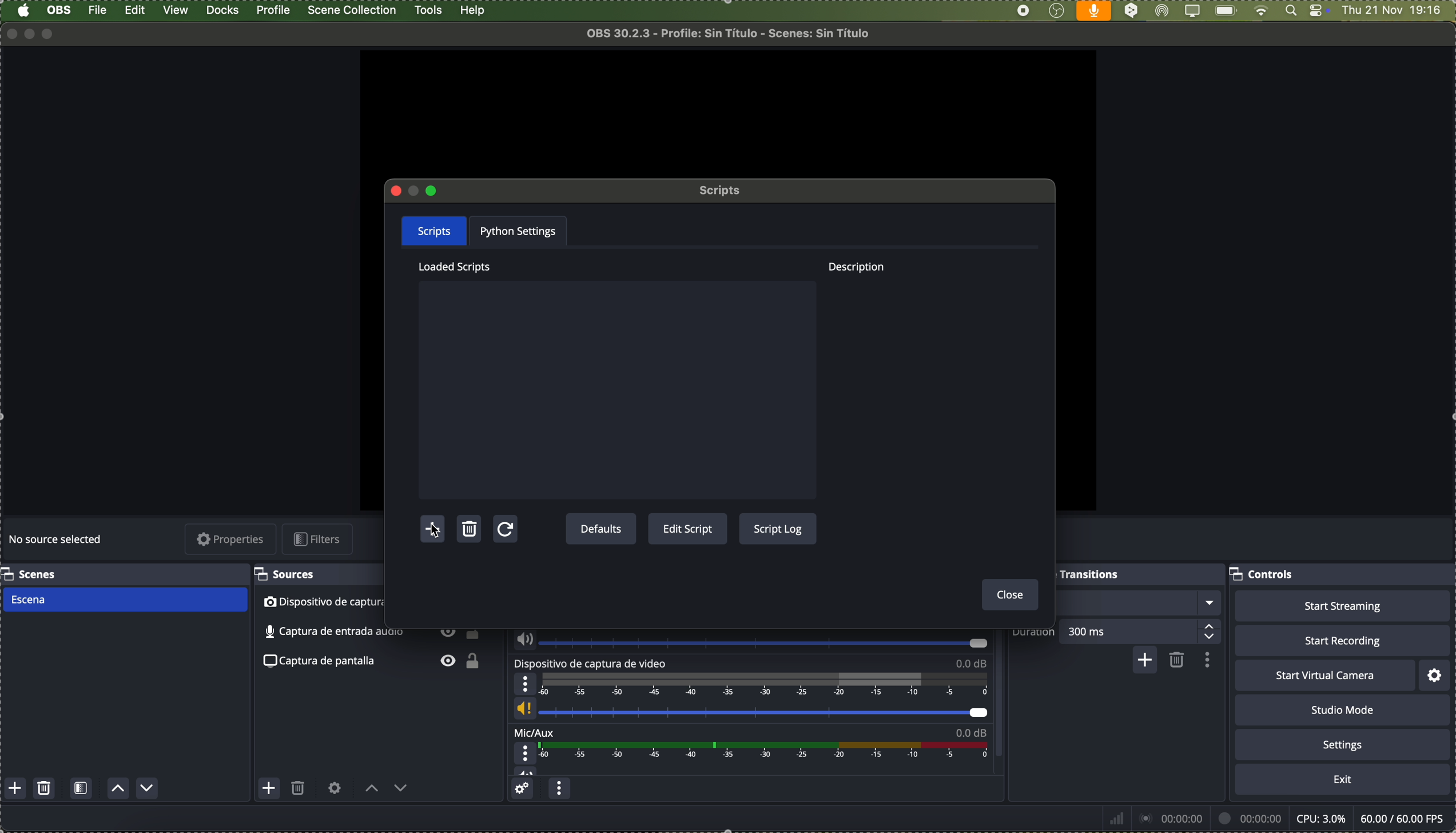  What do you see at coordinates (31, 574) in the screenshot?
I see `scenes` at bounding box center [31, 574].